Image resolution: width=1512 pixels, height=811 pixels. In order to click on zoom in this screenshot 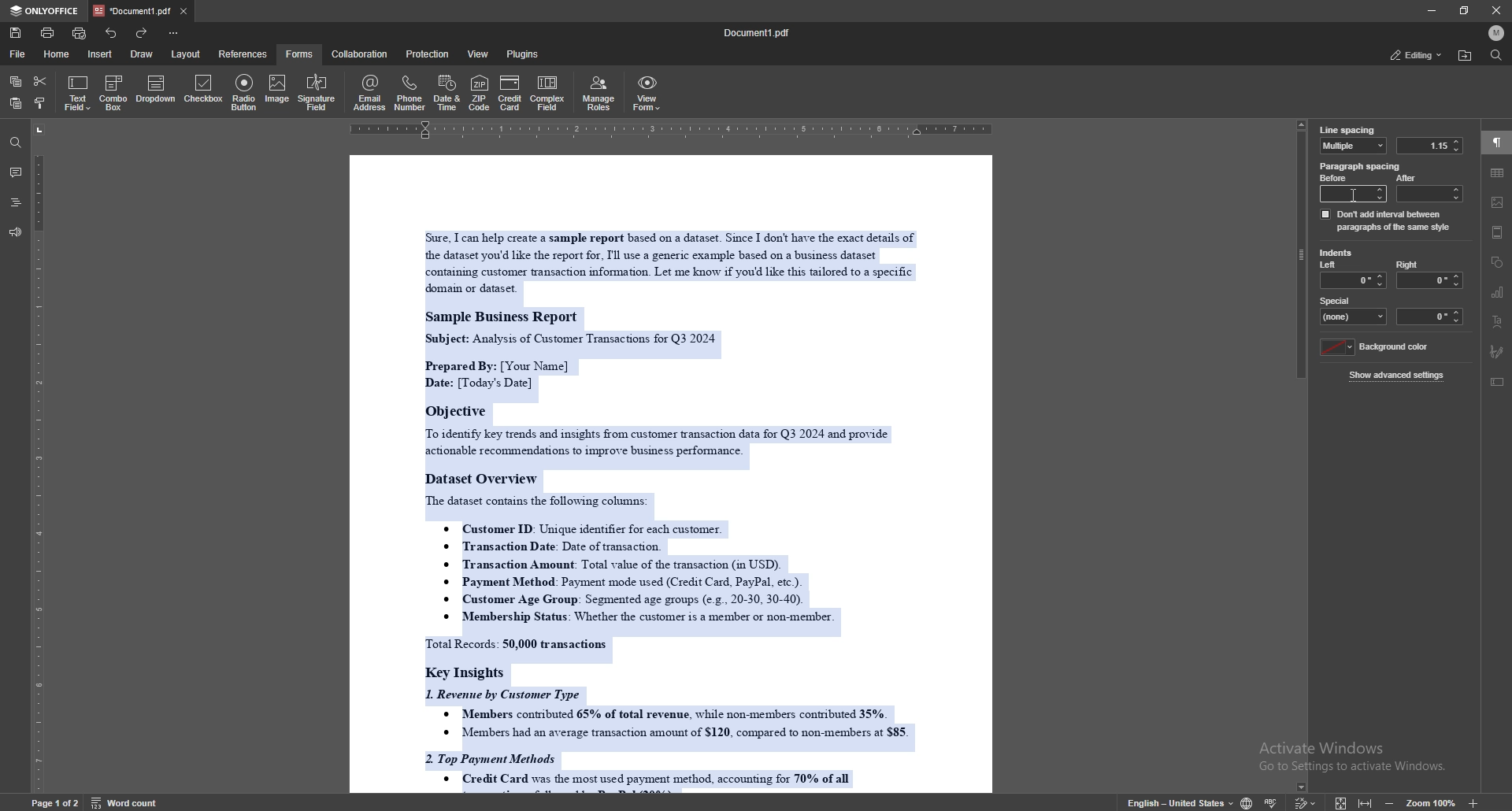, I will do `click(1432, 802)`.